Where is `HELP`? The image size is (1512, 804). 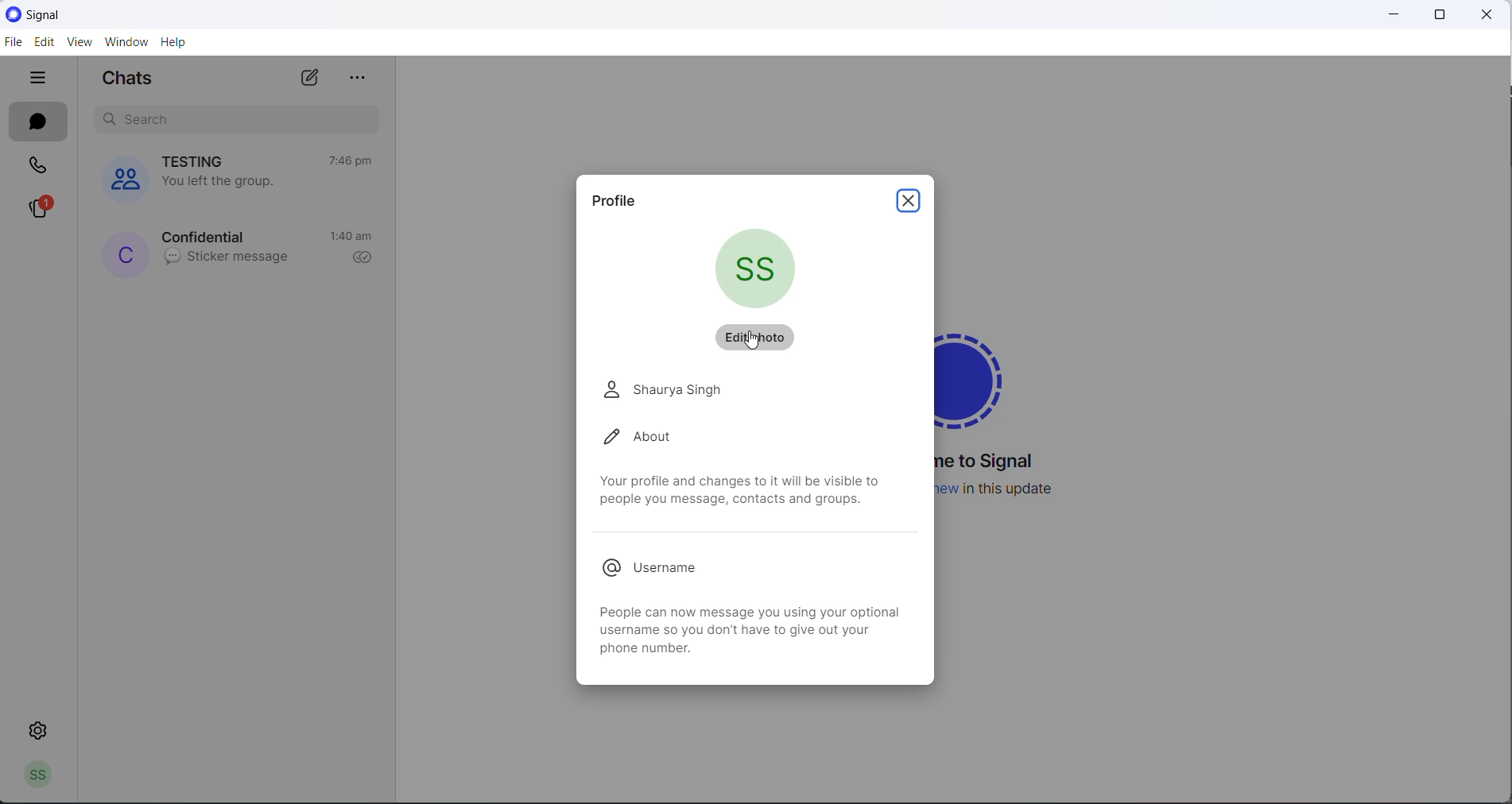 HELP is located at coordinates (174, 41).